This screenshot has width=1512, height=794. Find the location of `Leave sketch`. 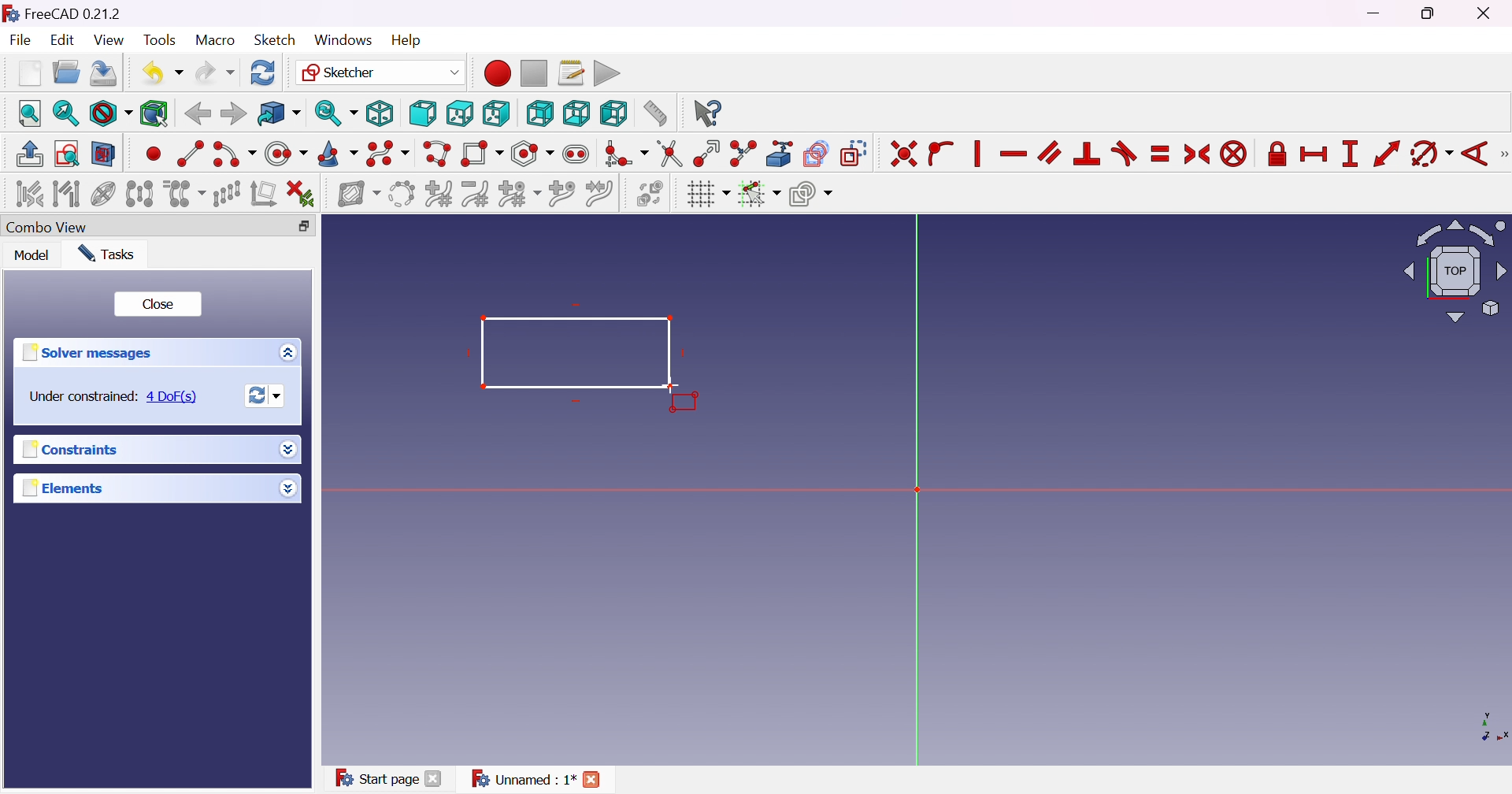

Leave sketch is located at coordinates (31, 154).